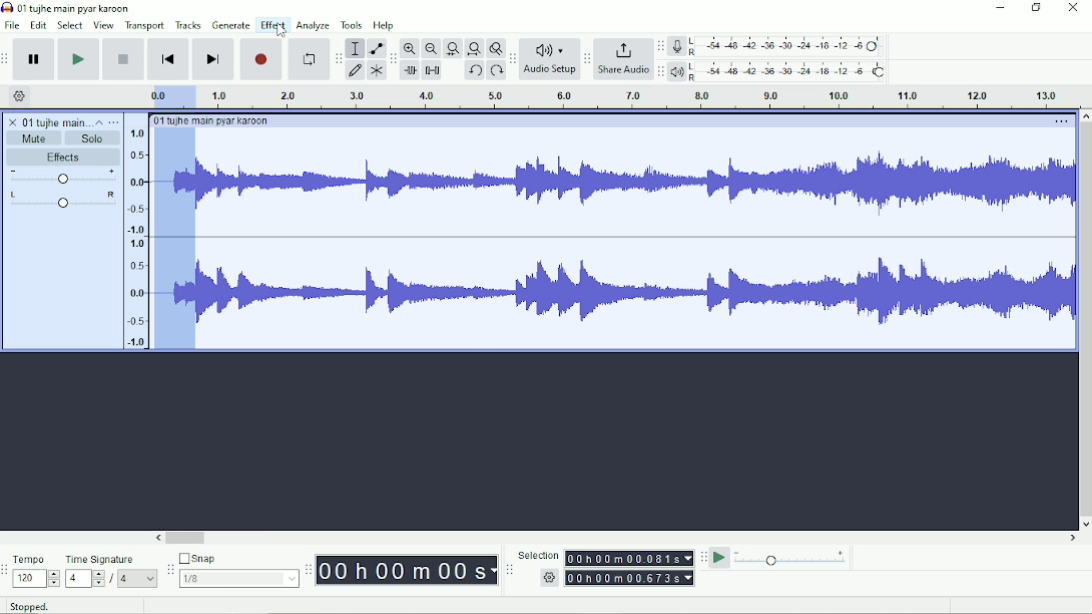 The width and height of the screenshot is (1092, 614). I want to click on Pause, so click(35, 60).